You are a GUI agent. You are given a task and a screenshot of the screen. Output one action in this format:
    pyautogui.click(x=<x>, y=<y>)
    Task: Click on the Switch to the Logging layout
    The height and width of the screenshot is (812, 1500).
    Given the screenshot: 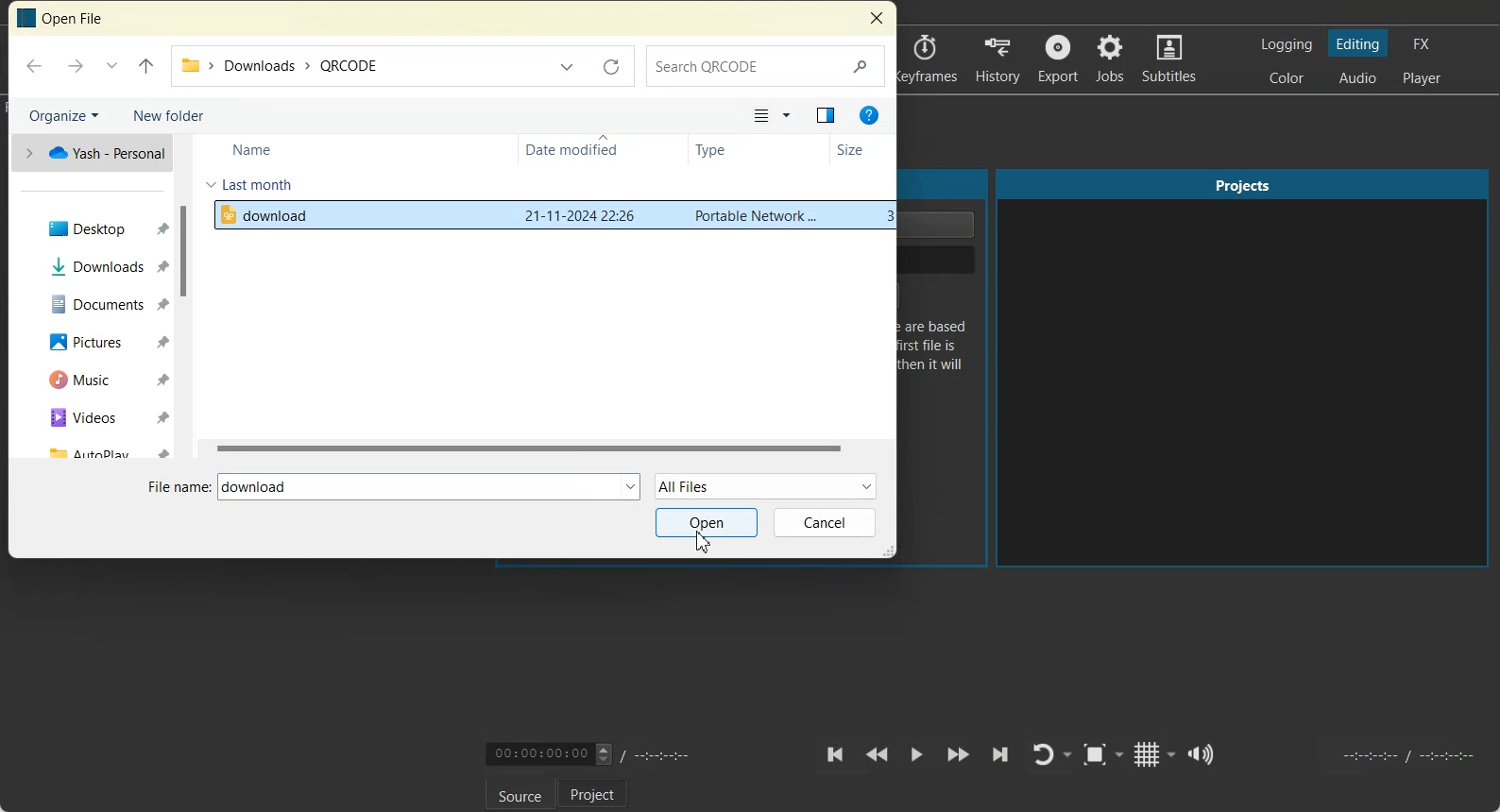 What is the action you would take?
    pyautogui.click(x=1287, y=44)
    